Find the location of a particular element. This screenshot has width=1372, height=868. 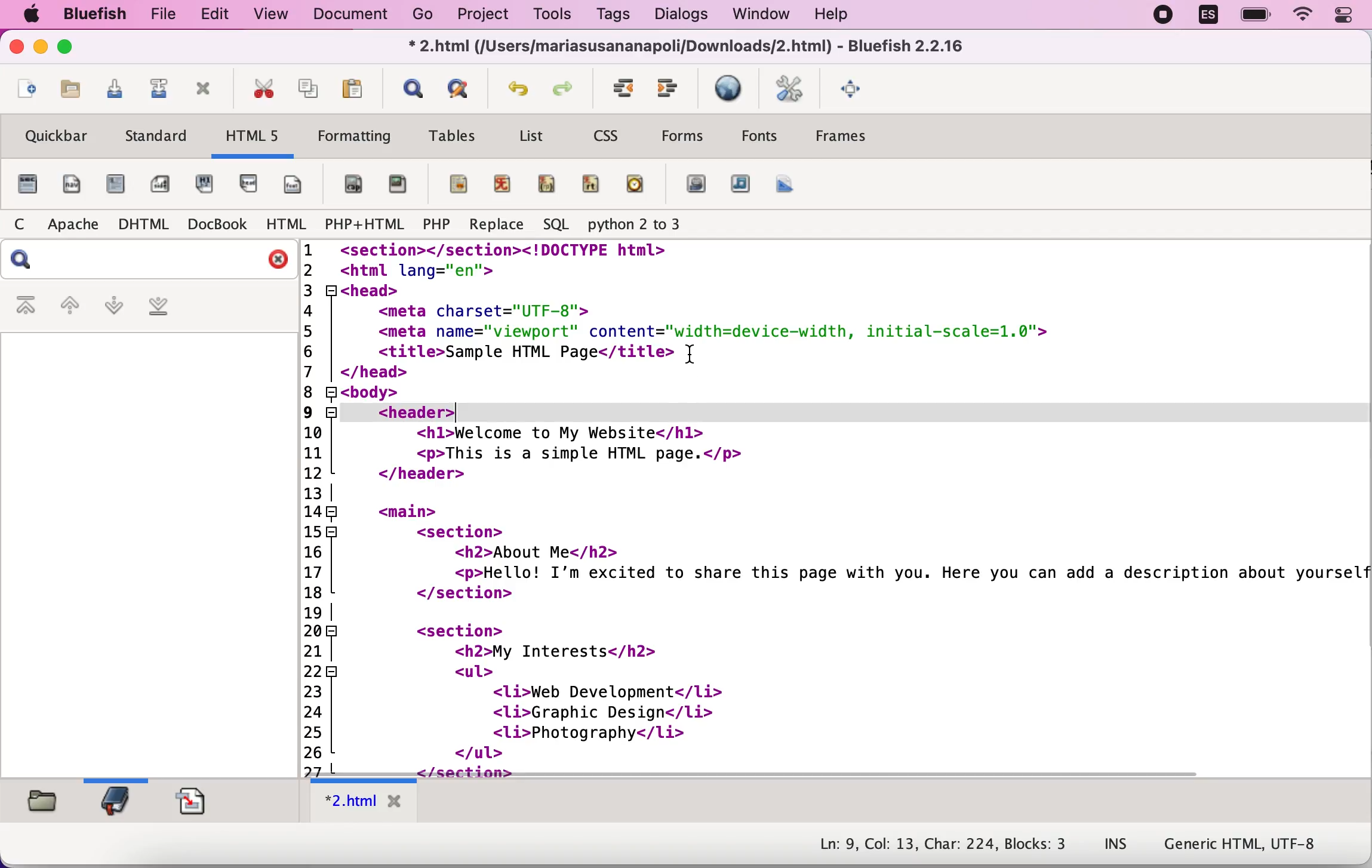

next bookmark is located at coordinates (115, 308).